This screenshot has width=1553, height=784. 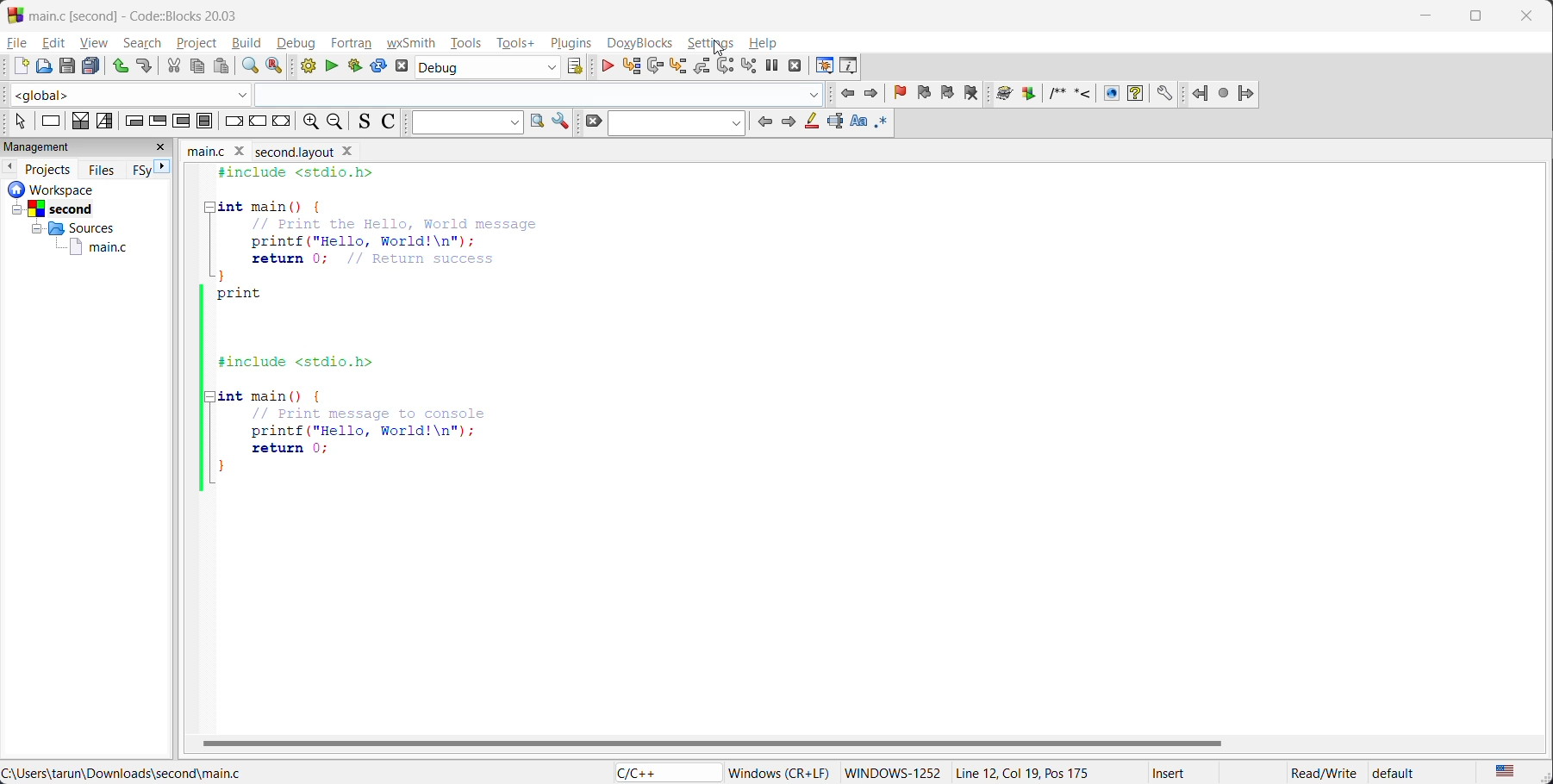 I want to click on toggle source, so click(x=363, y=122).